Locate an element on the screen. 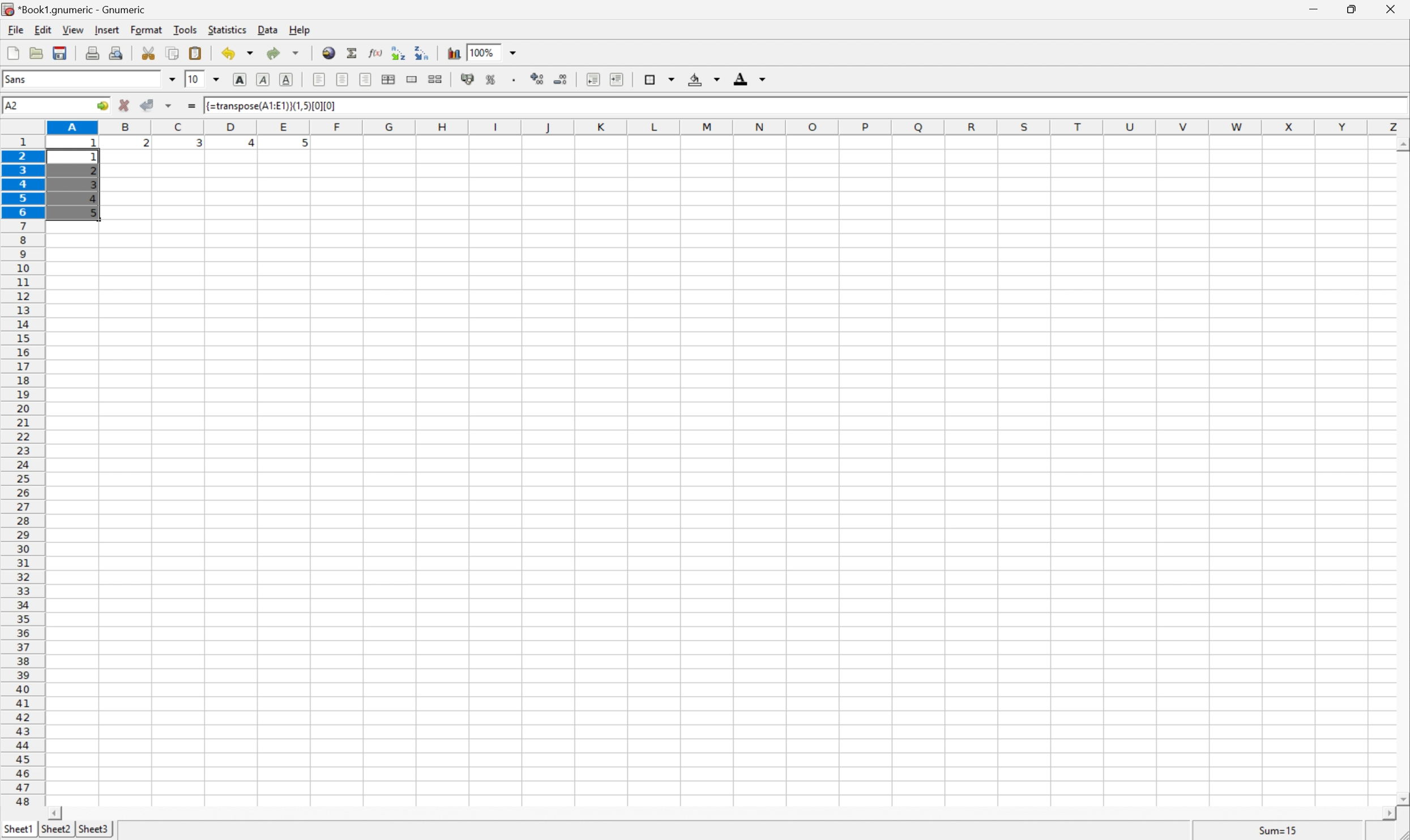 This screenshot has height=840, width=1410. borders is located at coordinates (660, 78).